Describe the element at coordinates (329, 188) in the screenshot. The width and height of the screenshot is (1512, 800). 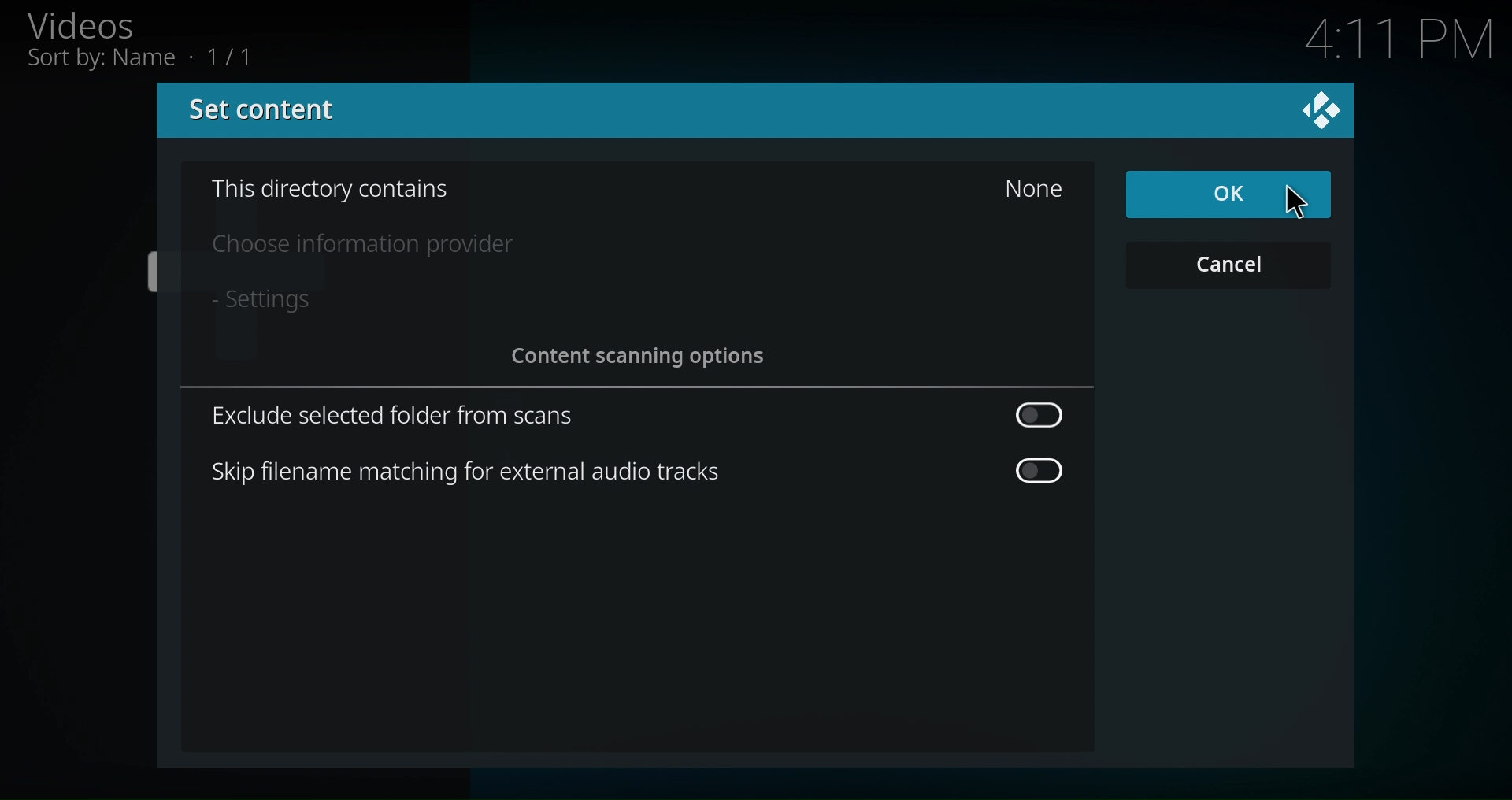
I see `This Directory contains None` at that location.